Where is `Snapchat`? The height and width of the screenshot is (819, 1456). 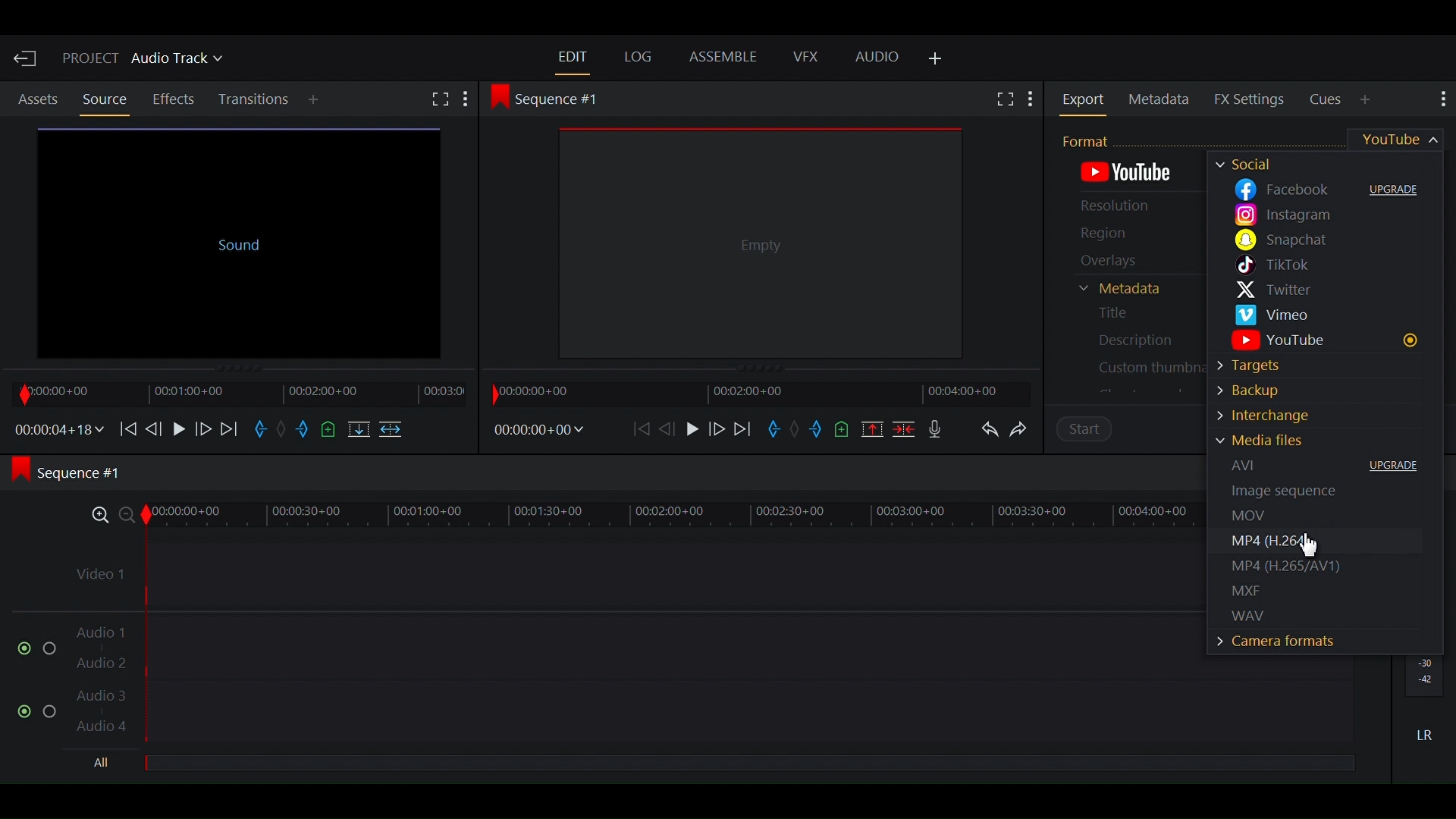
Snapchat is located at coordinates (1322, 240).